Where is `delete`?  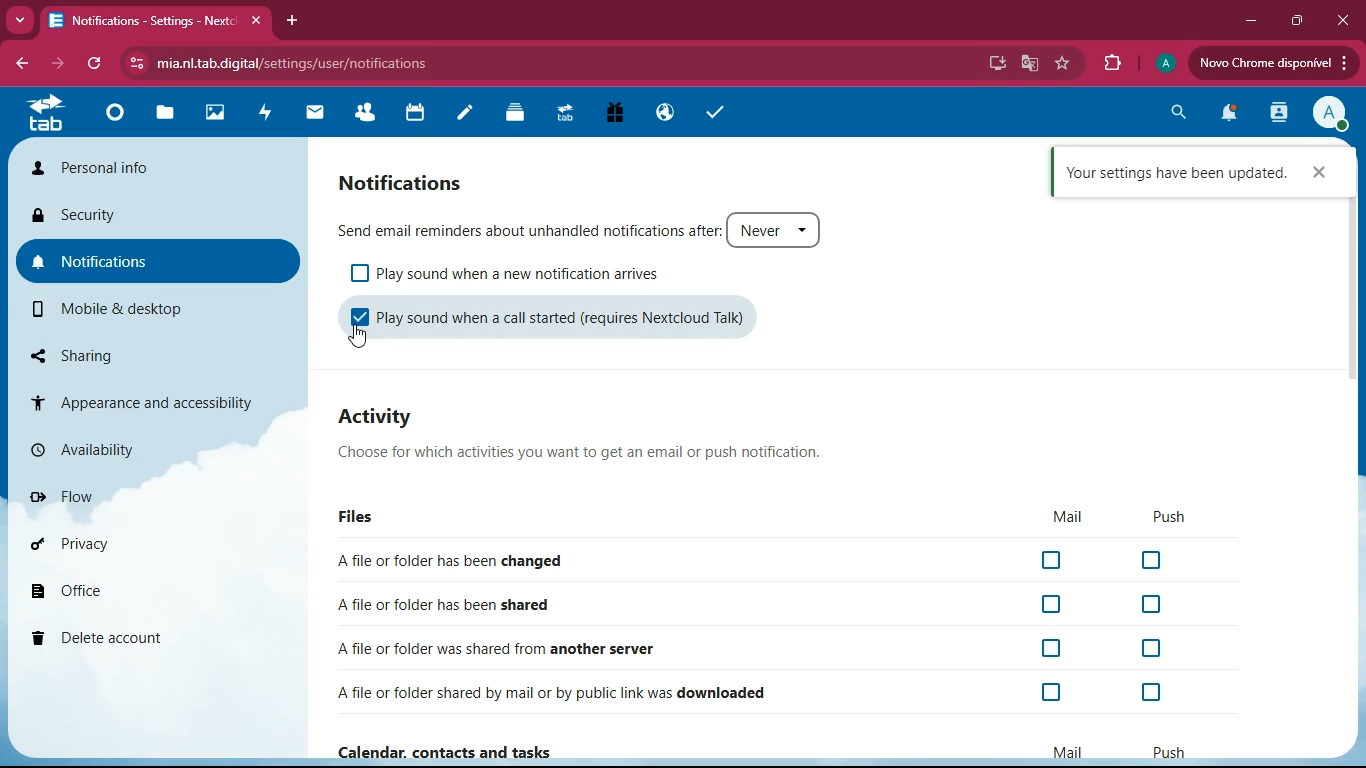 delete is located at coordinates (108, 641).